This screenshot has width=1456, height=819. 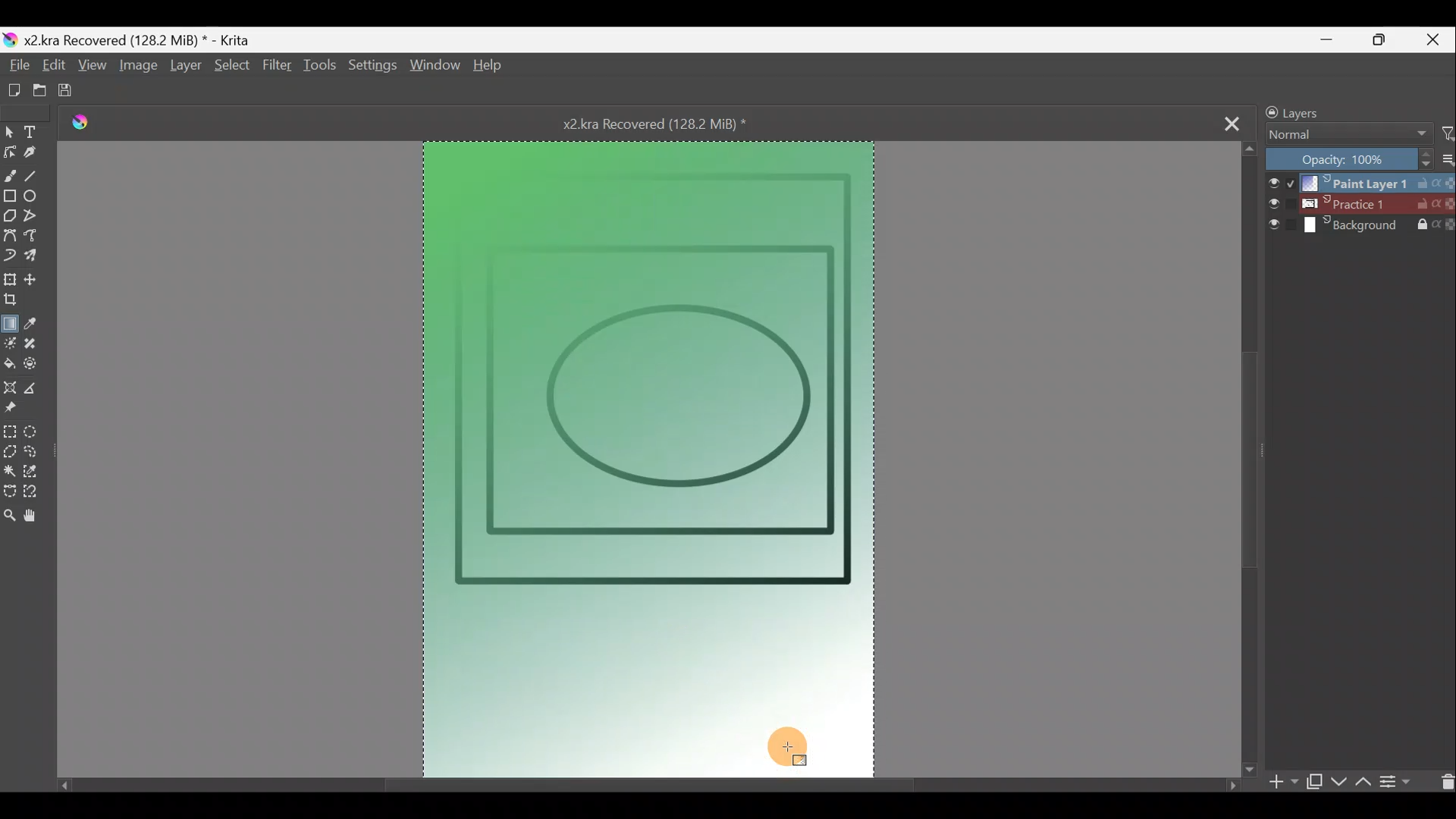 What do you see at coordinates (1447, 134) in the screenshot?
I see `Filter` at bounding box center [1447, 134].